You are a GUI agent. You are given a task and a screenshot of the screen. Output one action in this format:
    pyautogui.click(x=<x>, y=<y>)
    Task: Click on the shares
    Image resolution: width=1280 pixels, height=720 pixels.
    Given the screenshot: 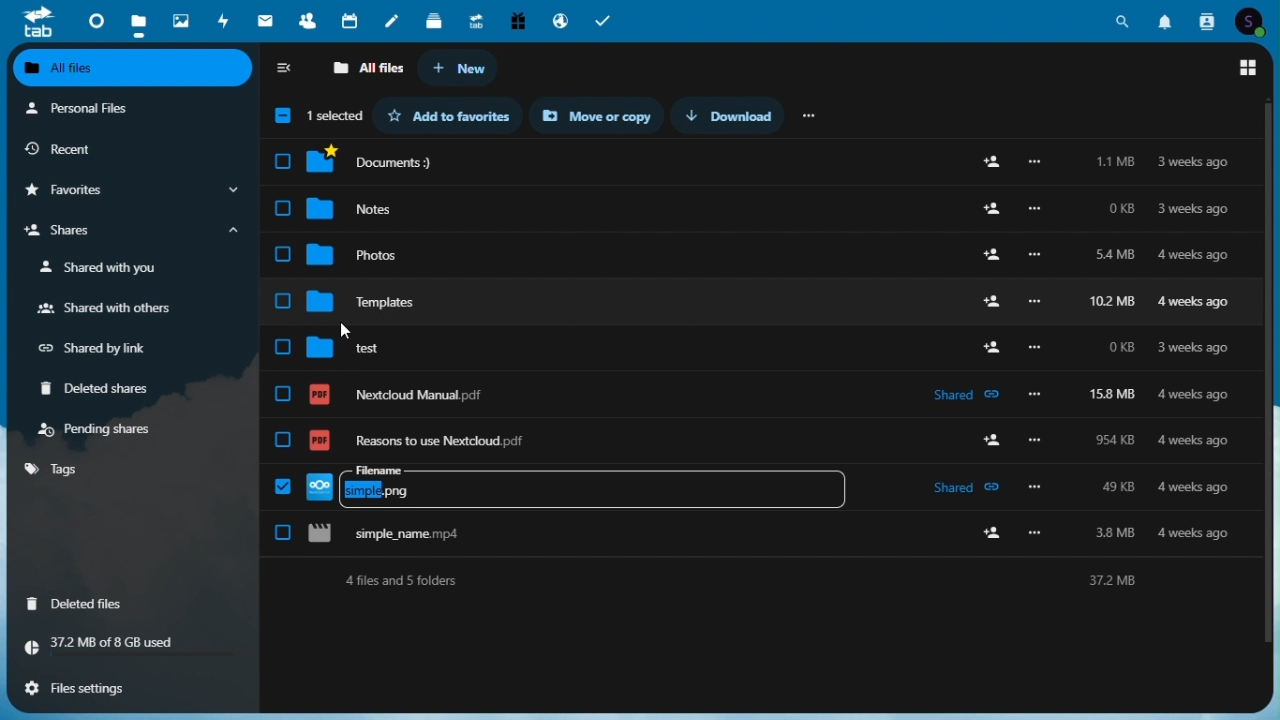 What is the action you would take?
    pyautogui.click(x=129, y=233)
    